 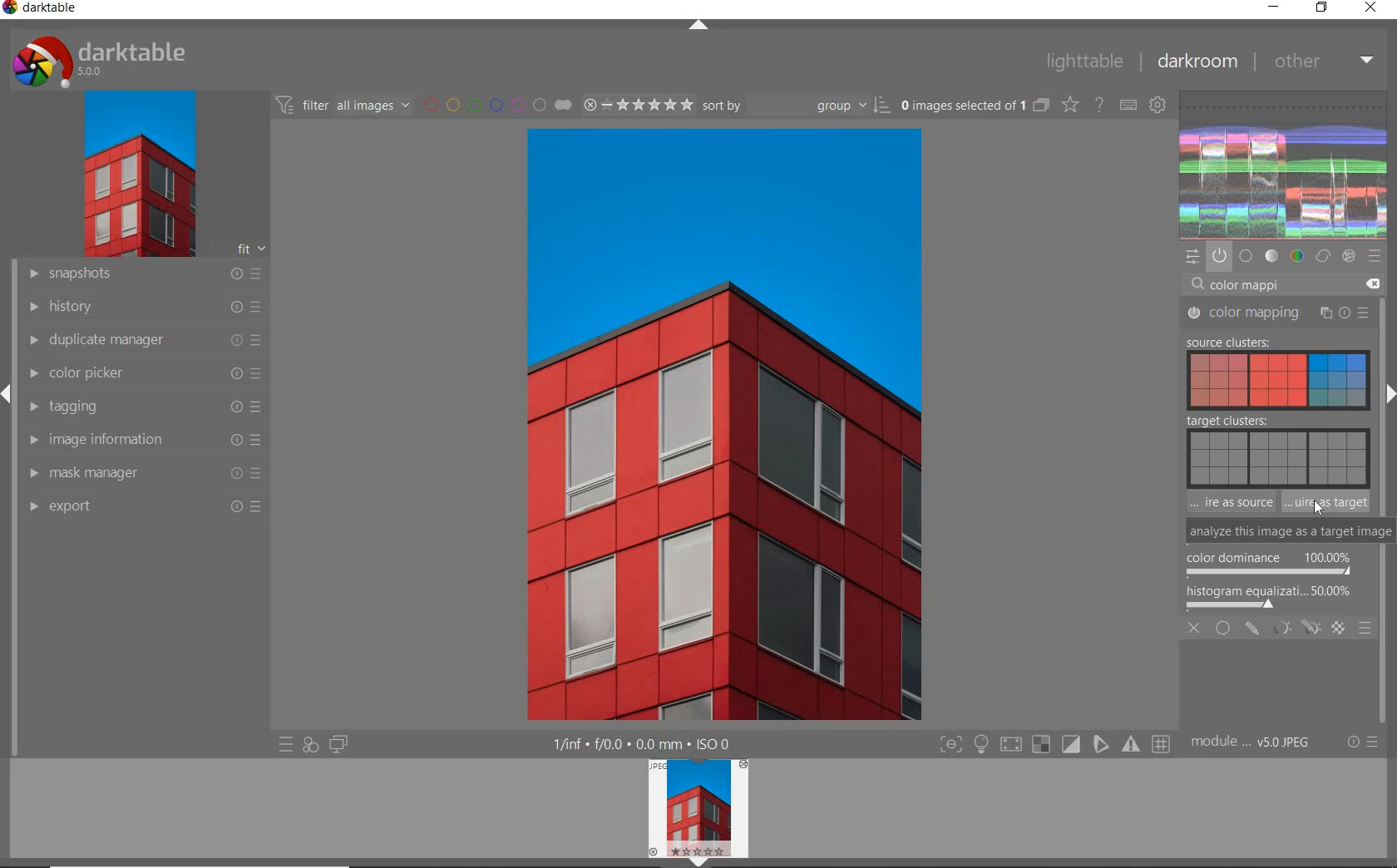 What do you see at coordinates (1389, 393) in the screenshot?
I see `expand/collapse` at bounding box center [1389, 393].